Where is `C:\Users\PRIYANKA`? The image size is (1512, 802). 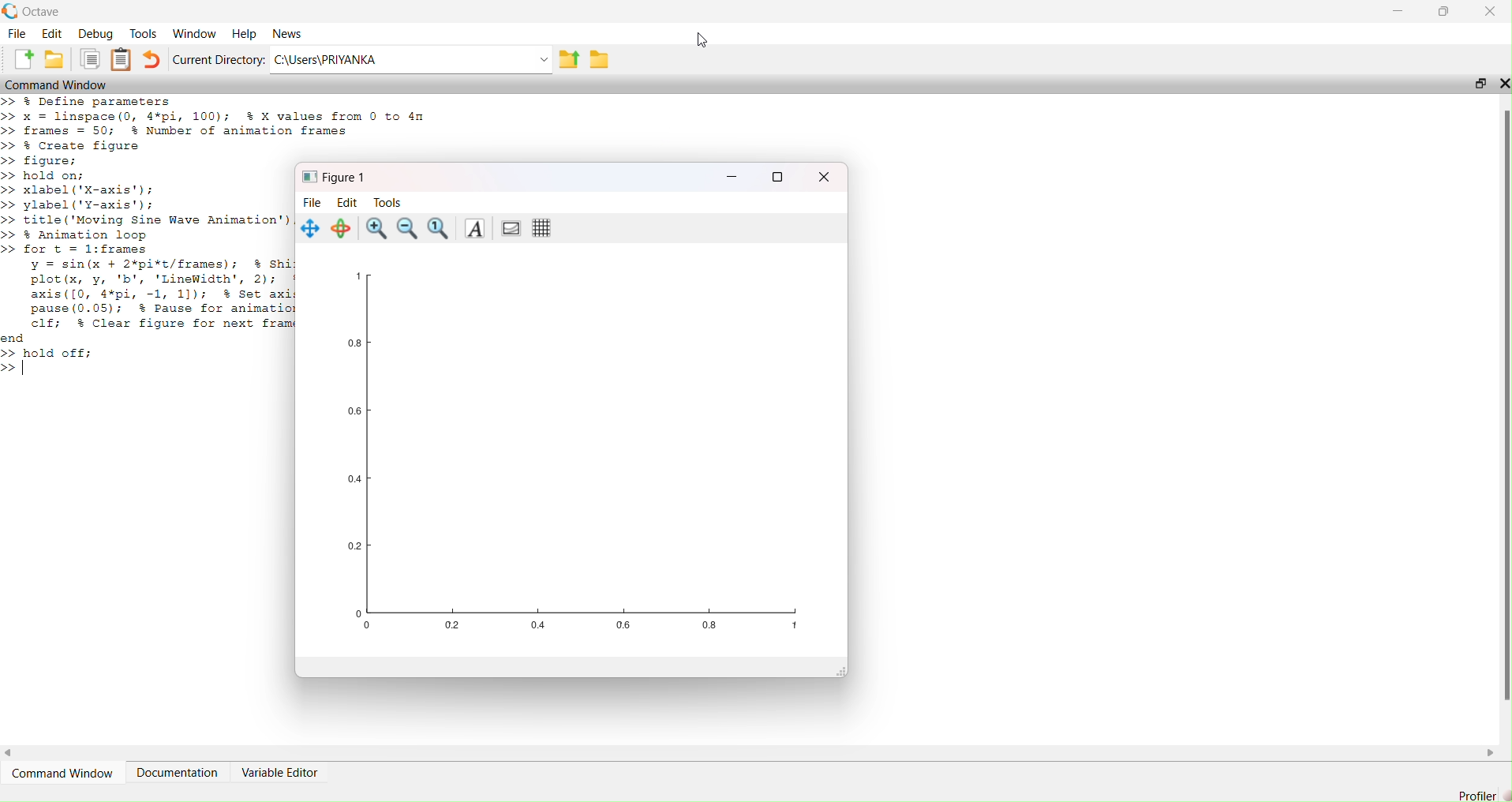
C:\Users\PRIYANKA is located at coordinates (352, 62).